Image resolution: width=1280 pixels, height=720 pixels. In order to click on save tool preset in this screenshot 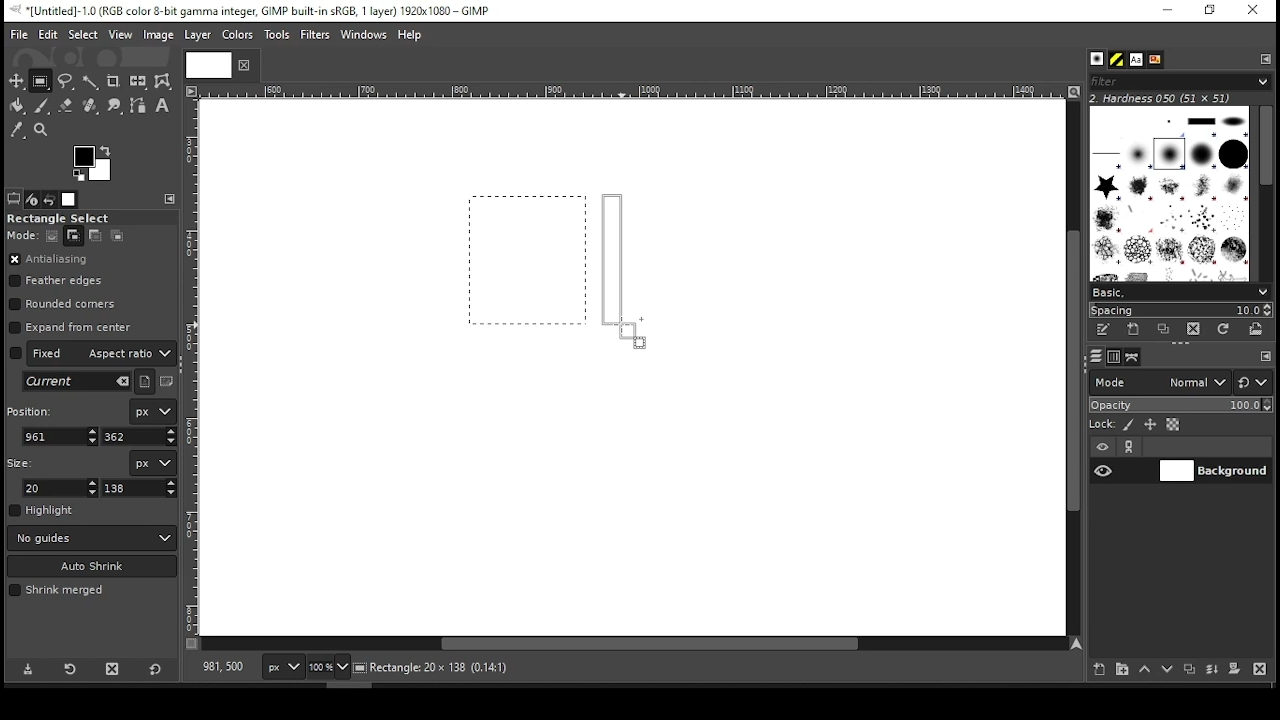, I will do `click(30, 668)`.